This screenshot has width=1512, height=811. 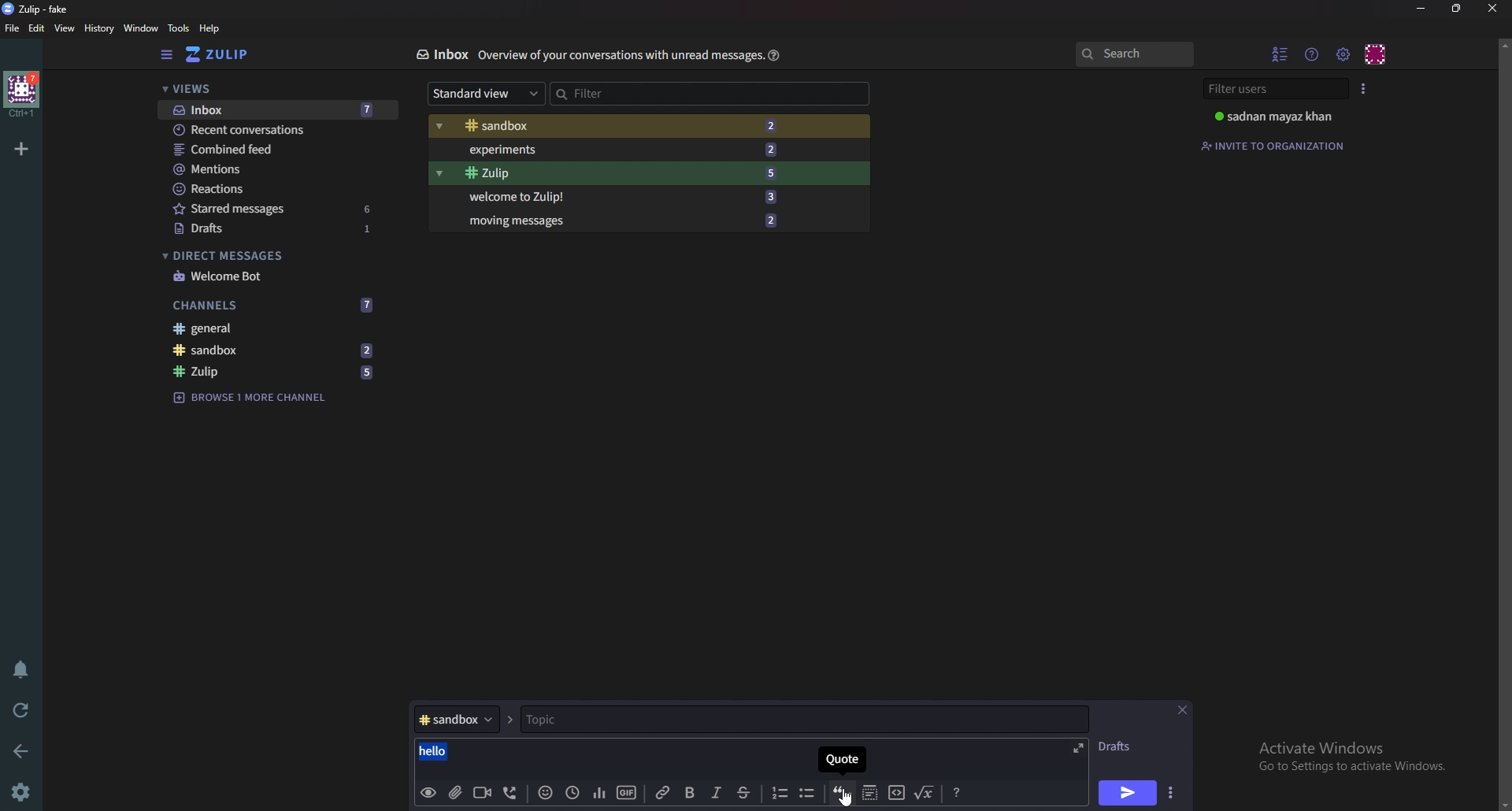 What do you see at coordinates (777, 198) in the screenshot?
I see `3` at bounding box center [777, 198].